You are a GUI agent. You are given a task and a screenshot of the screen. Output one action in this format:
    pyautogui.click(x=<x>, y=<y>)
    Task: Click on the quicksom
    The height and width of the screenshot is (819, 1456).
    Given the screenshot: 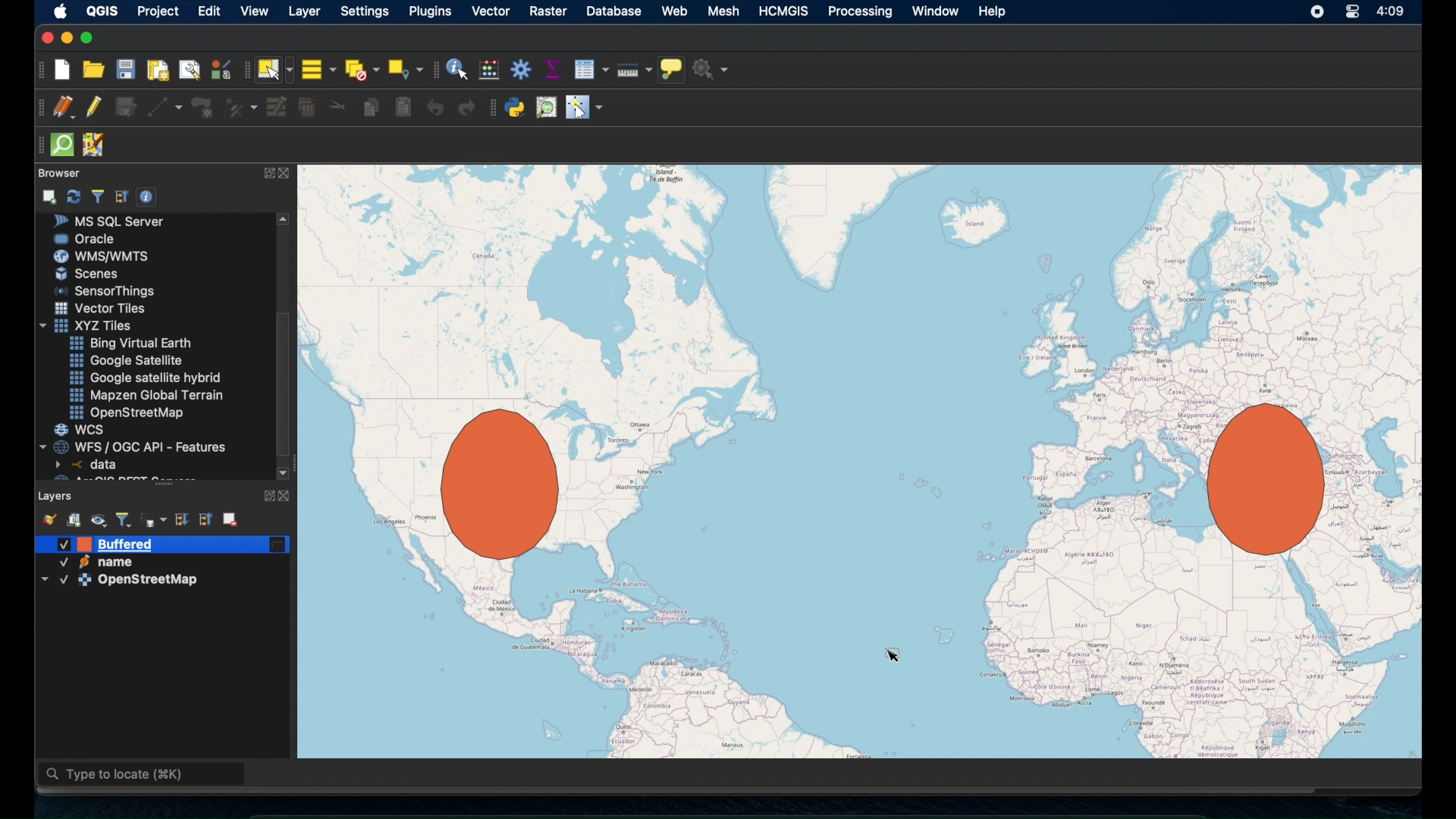 What is the action you would take?
    pyautogui.click(x=63, y=145)
    